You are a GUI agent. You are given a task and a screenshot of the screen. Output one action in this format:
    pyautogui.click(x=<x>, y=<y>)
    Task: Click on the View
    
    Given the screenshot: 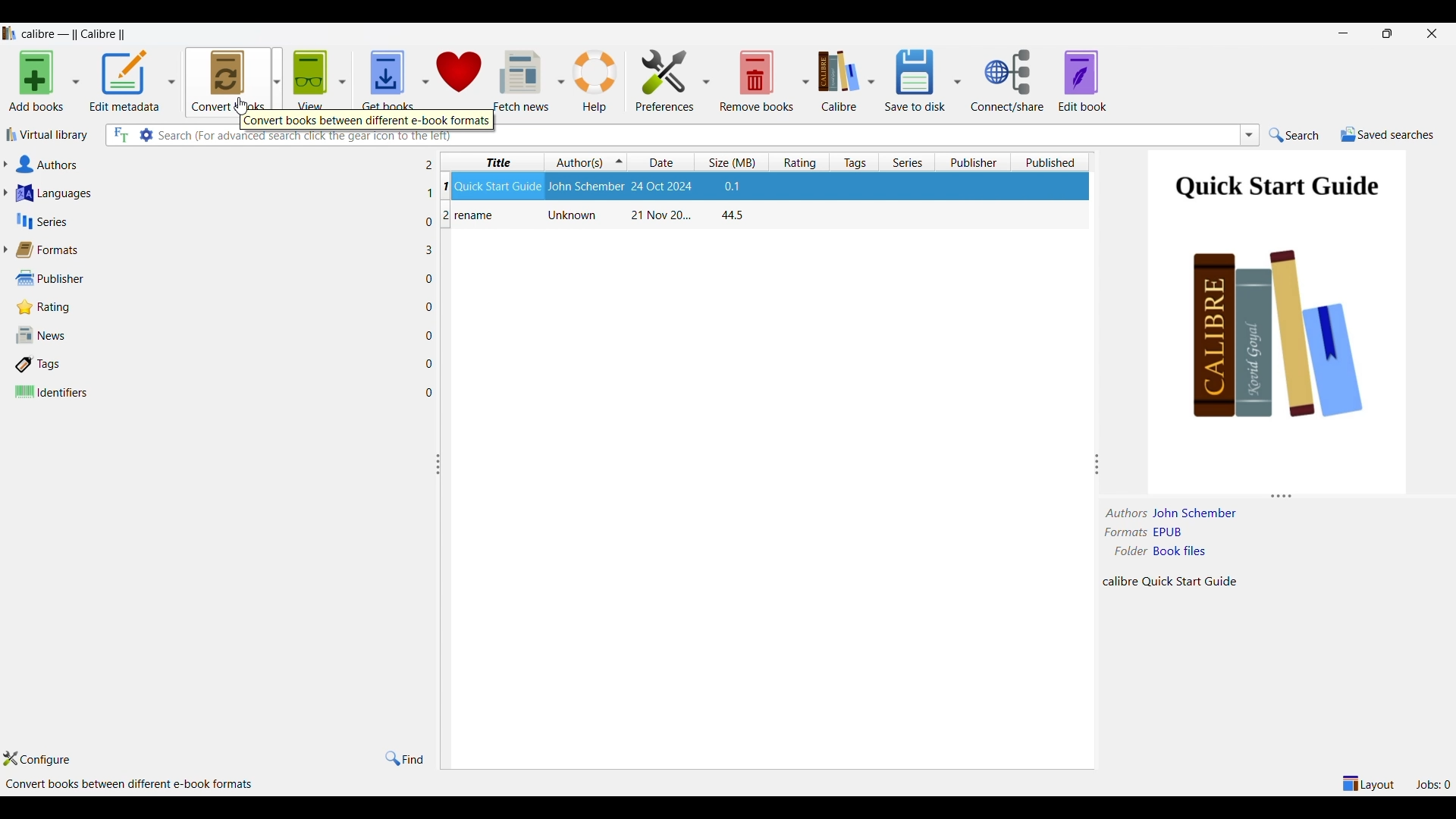 What is the action you would take?
    pyautogui.click(x=310, y=80)
    